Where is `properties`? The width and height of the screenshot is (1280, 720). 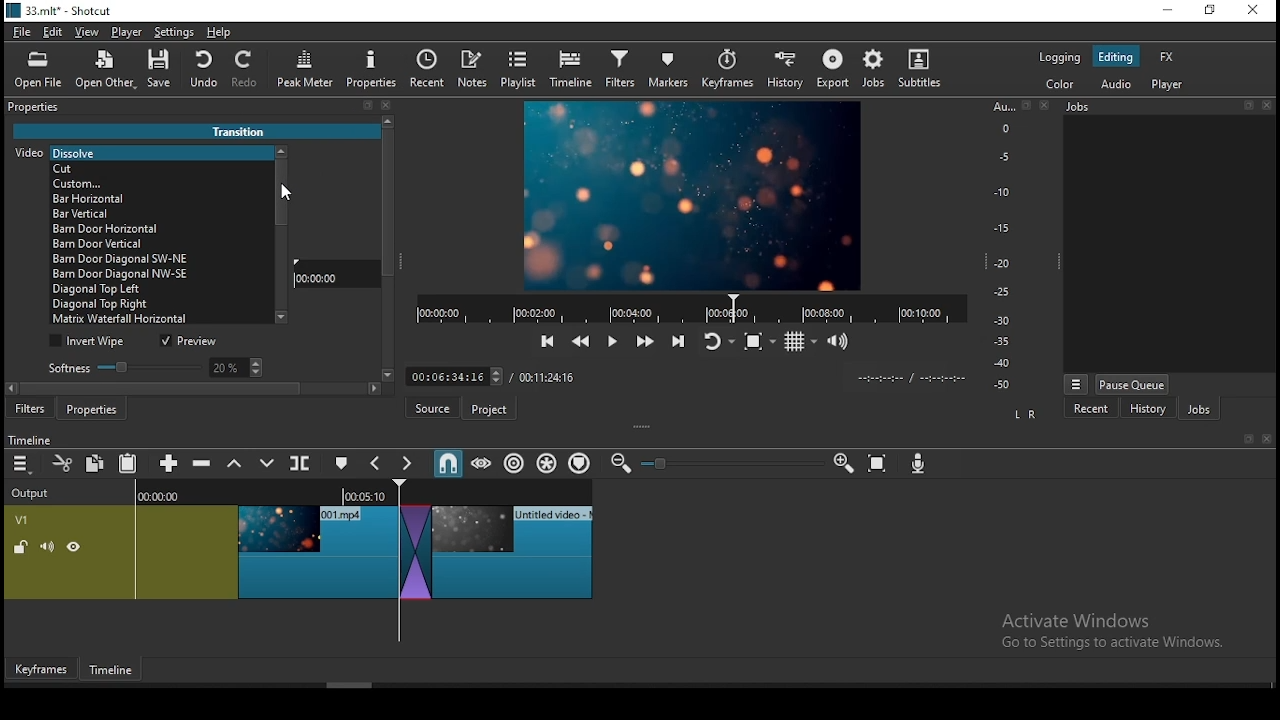 properties is located at coordinates (371, 69).